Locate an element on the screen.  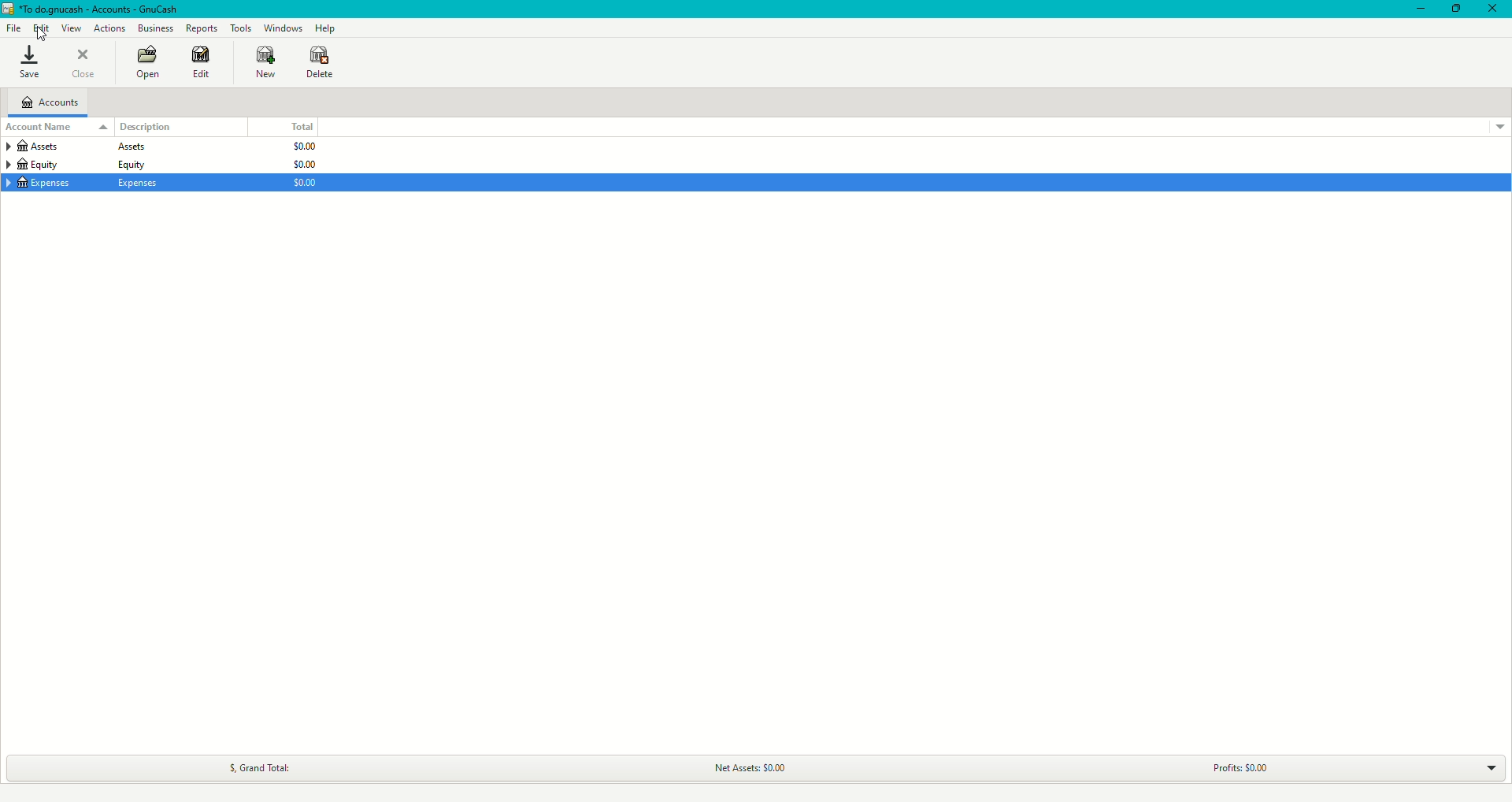
Help is located at coordinates (326, 28).